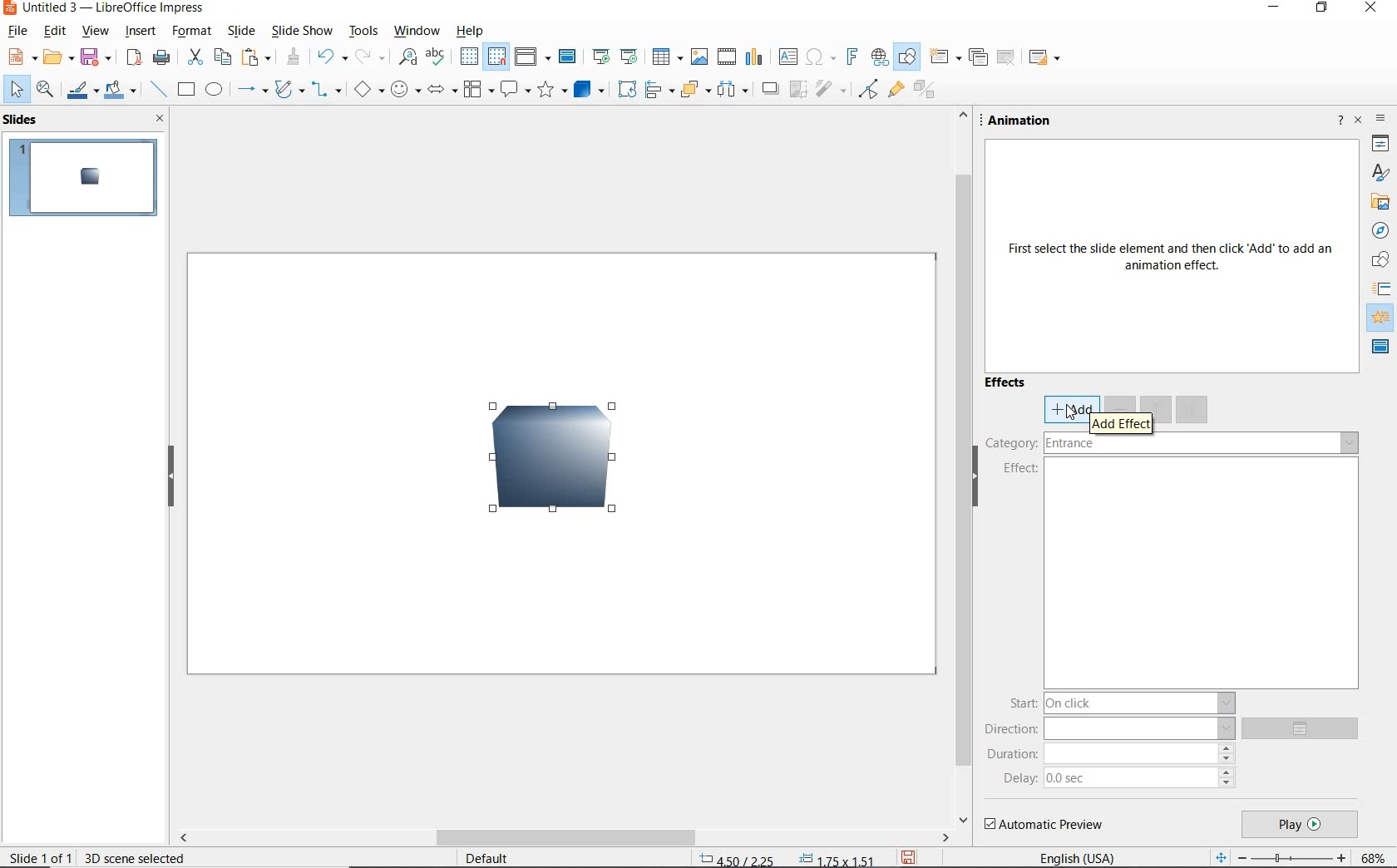 This screenshot has width=1397, height=868. What do you see at coordinates (570, 57) in the screenshot?
I see `master slide` at bounding box center [570, 57].